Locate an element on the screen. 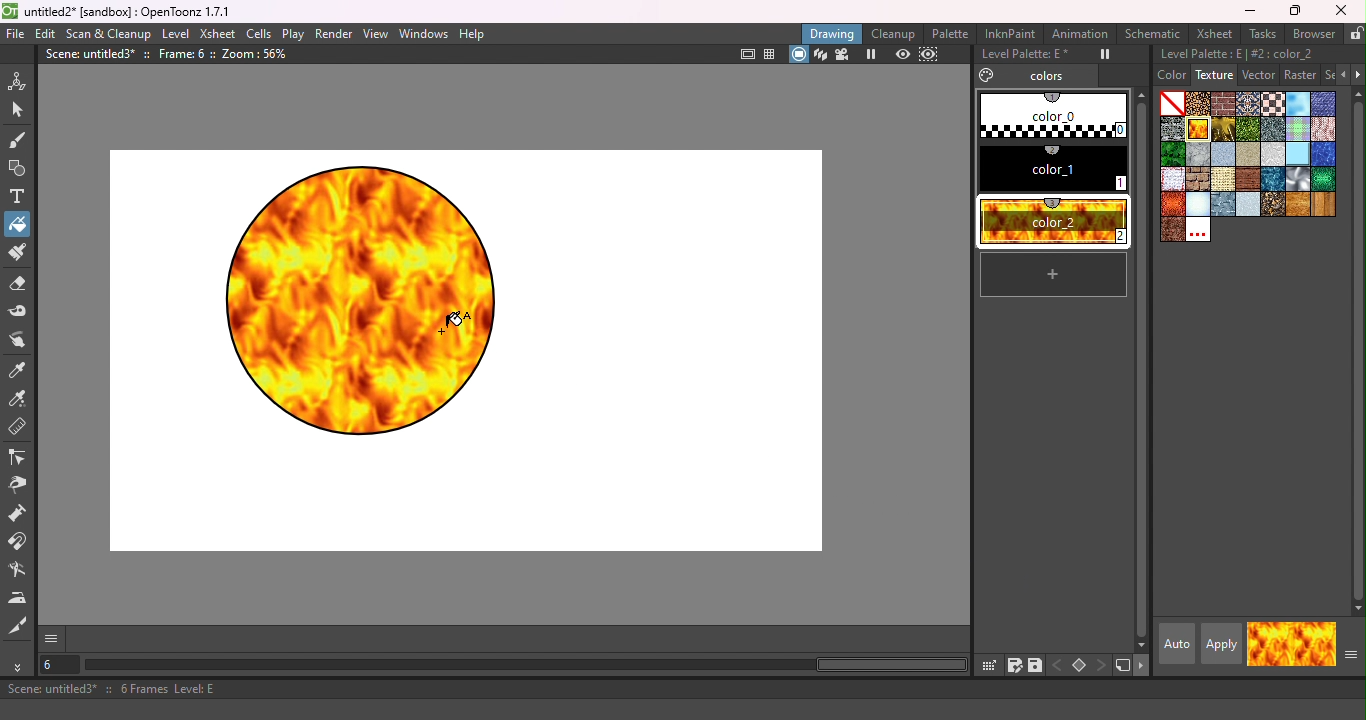  Previous is located at coordinates (1339, 74).